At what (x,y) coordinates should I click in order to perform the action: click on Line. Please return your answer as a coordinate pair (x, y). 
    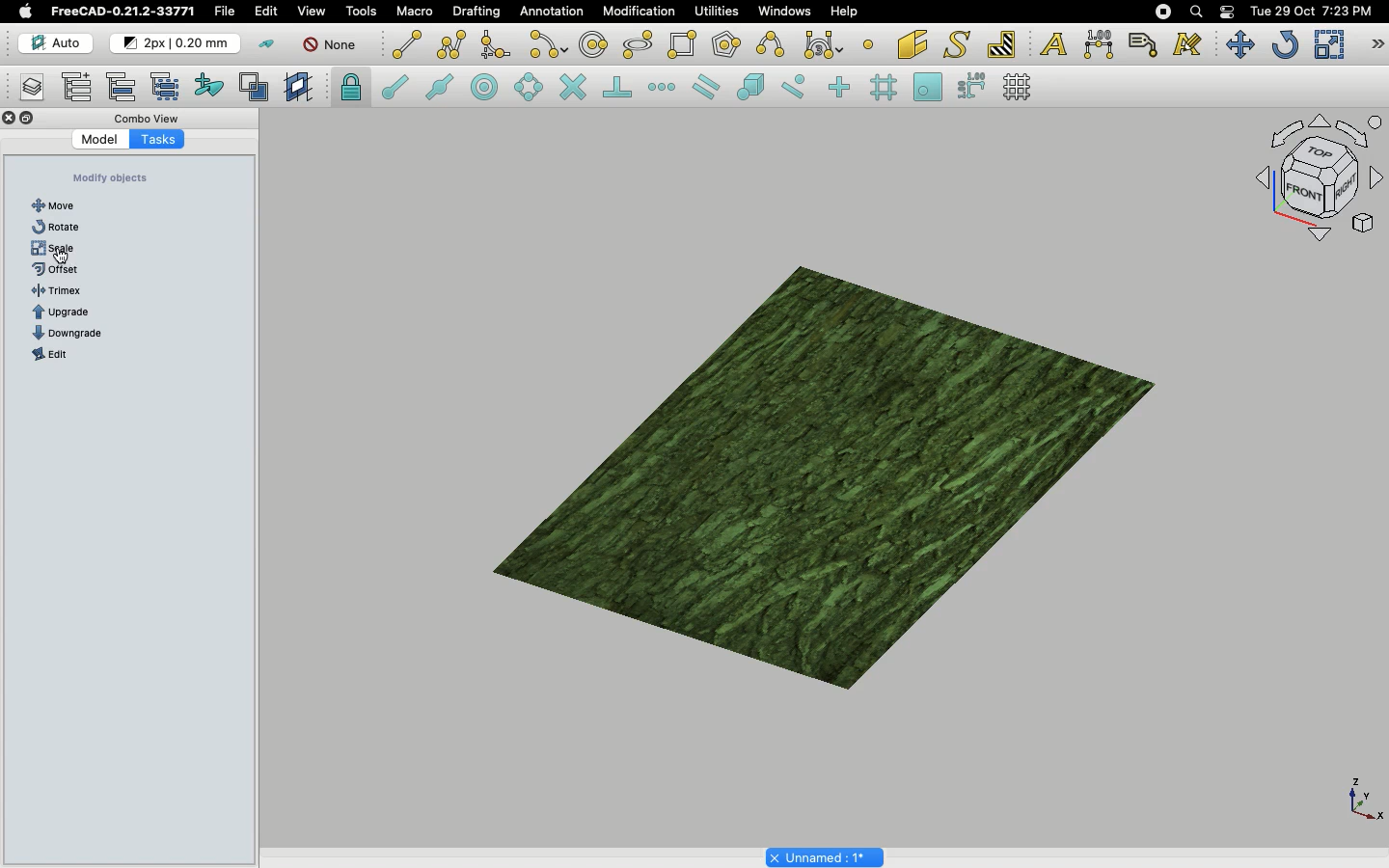
    Looking at the image, I should click on (404, 44).